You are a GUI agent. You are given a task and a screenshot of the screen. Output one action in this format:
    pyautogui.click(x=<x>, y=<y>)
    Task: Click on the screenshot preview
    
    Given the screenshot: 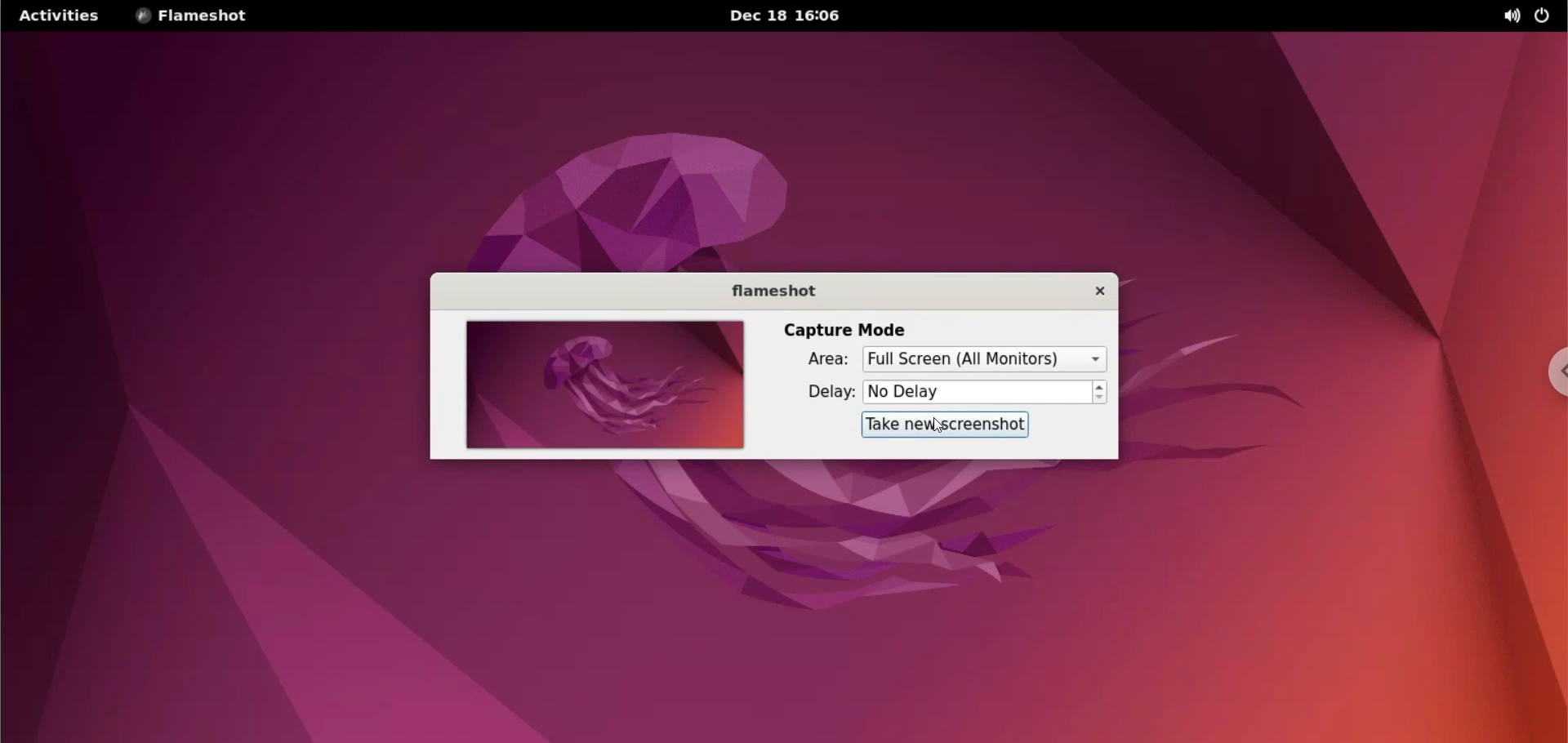 What is the action you would take?
    pyautogui.click(x=604, y=385)
    